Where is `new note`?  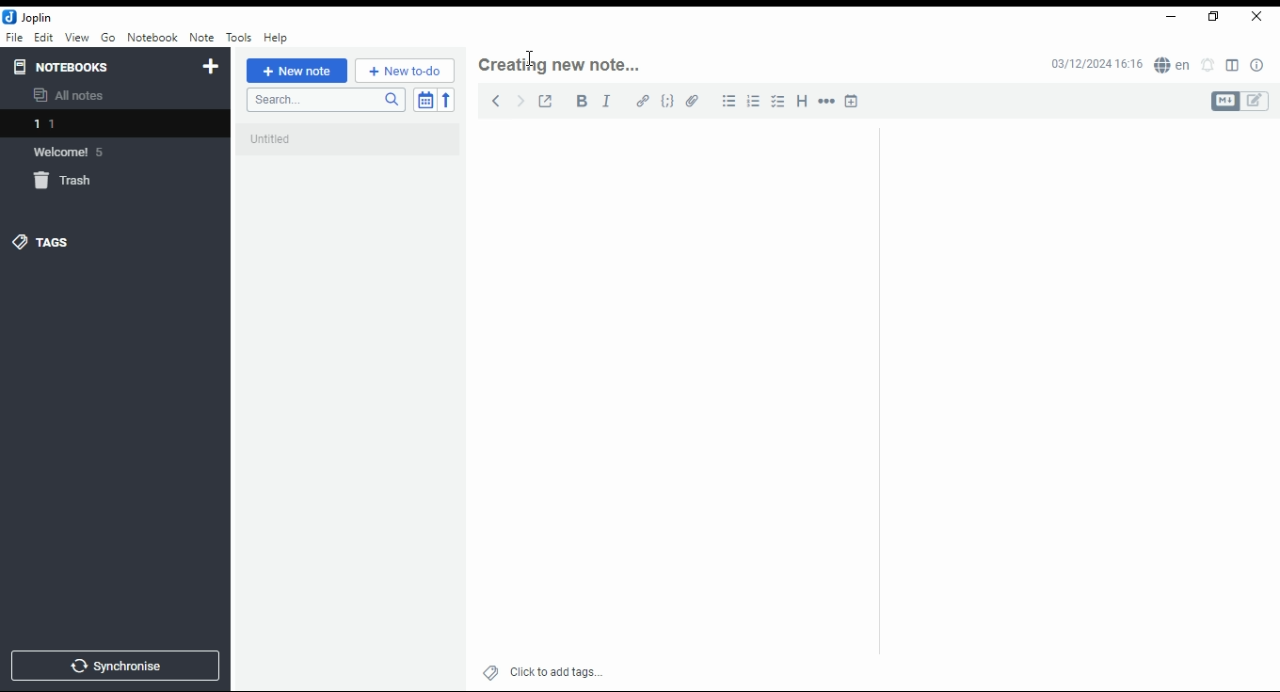
new note is located at coordinates (297, 71).